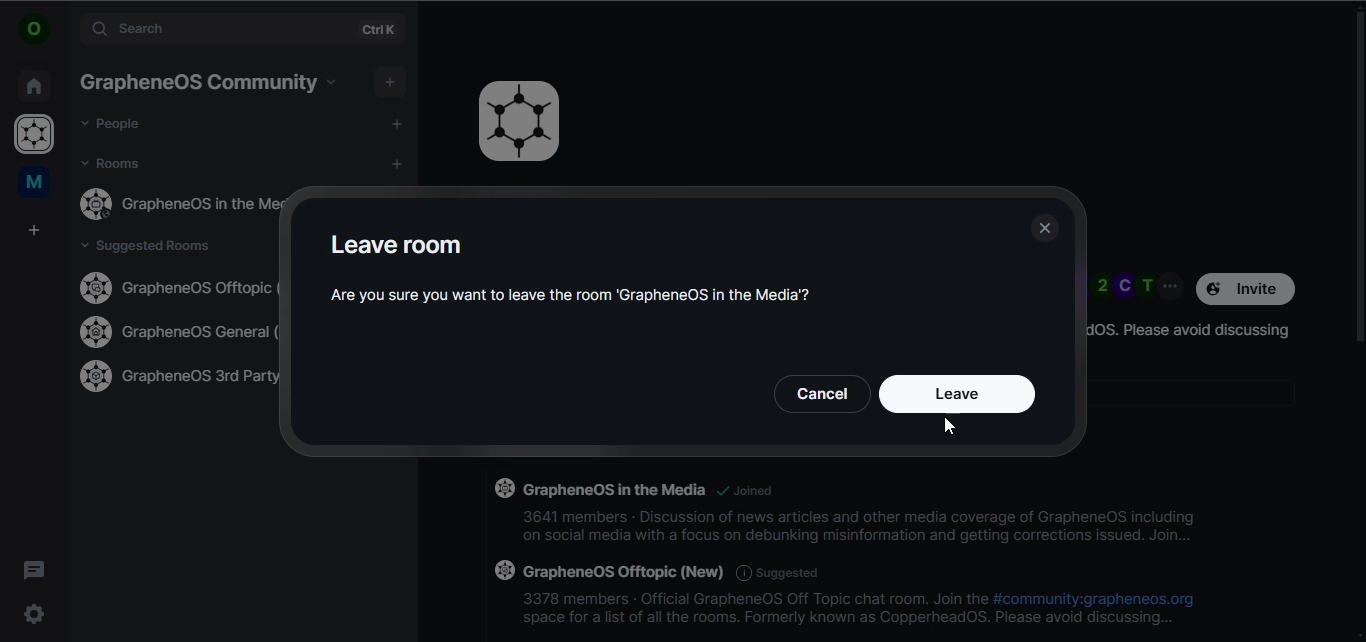 The image size is (1366, 642). What do you see at coordinates (397, 123) in the screenshot?
I see `add ` at bounding box center [397, 123].